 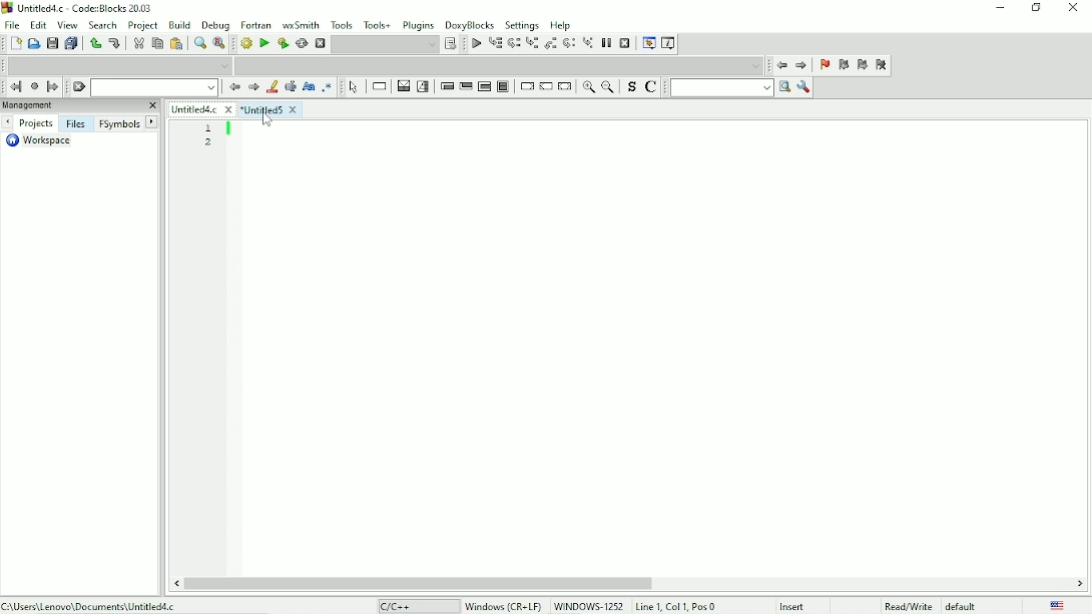 What do you see at coordinates (176, 584) in the screenshot?
I see `scroll left` at bounding box center [176, 584].